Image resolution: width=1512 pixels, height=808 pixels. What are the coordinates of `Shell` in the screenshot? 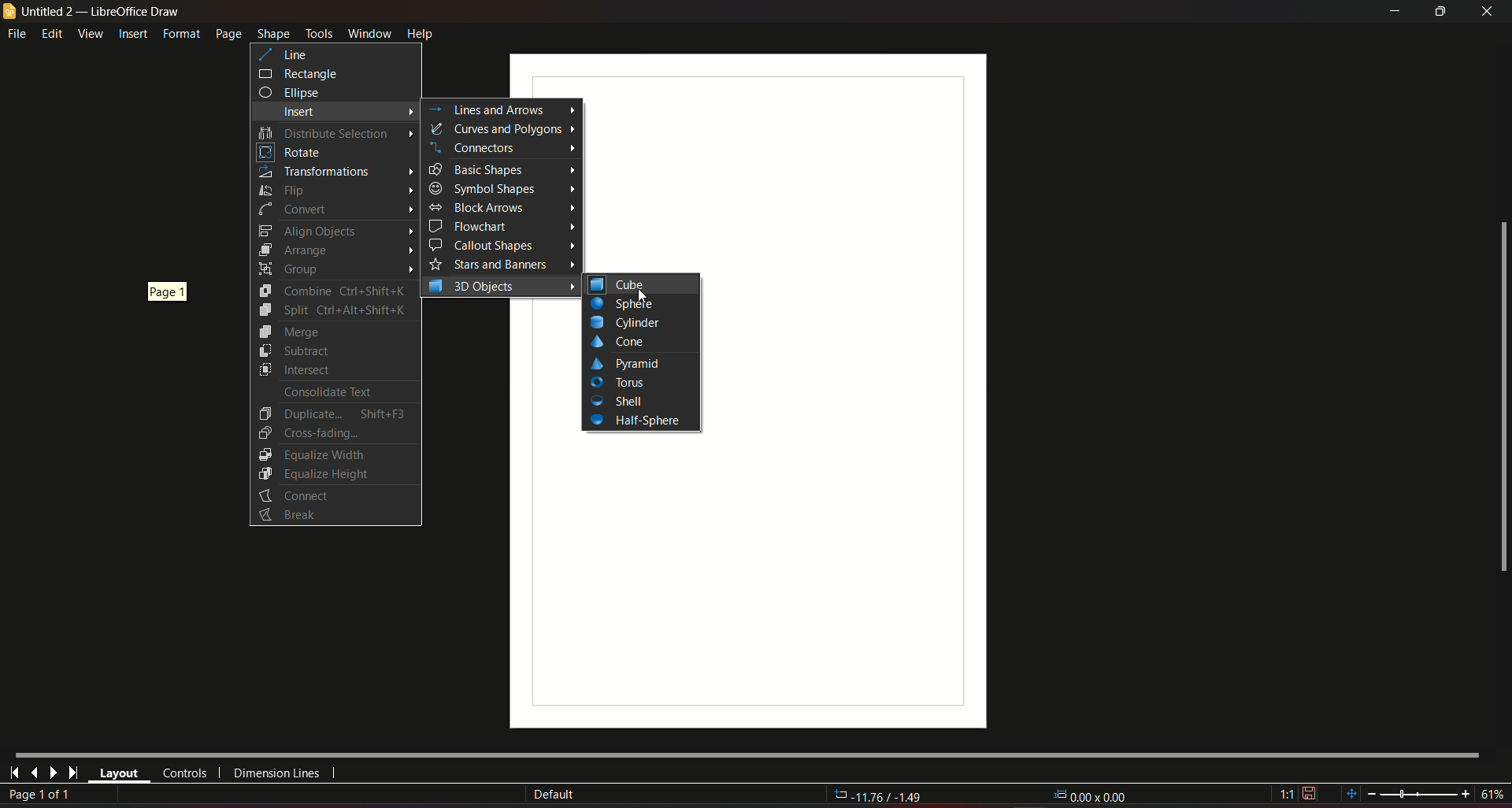 It's located at (621, 402).